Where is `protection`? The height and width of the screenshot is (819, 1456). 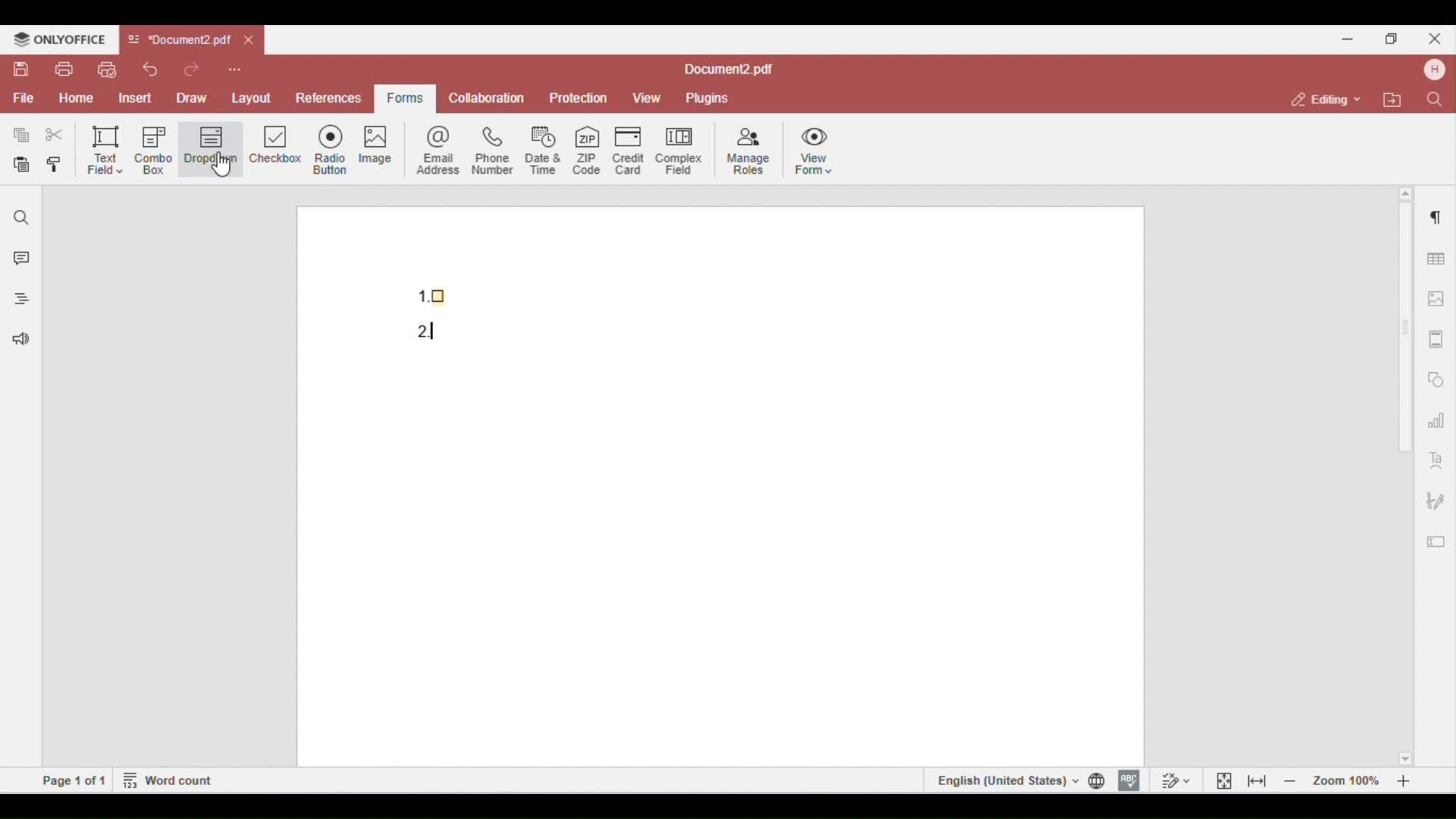 protection is located at coordinates (579, 99).